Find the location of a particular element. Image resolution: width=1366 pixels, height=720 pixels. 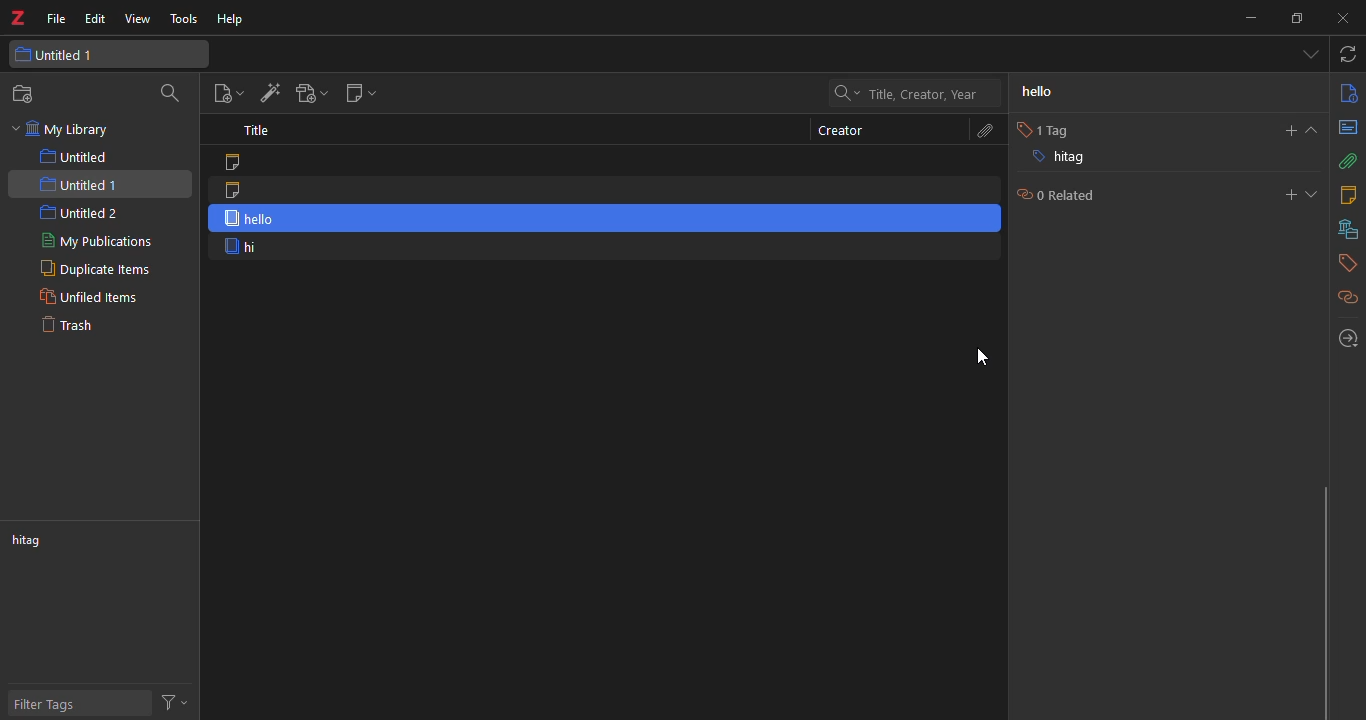

trash is located at coordinates (79, 329).